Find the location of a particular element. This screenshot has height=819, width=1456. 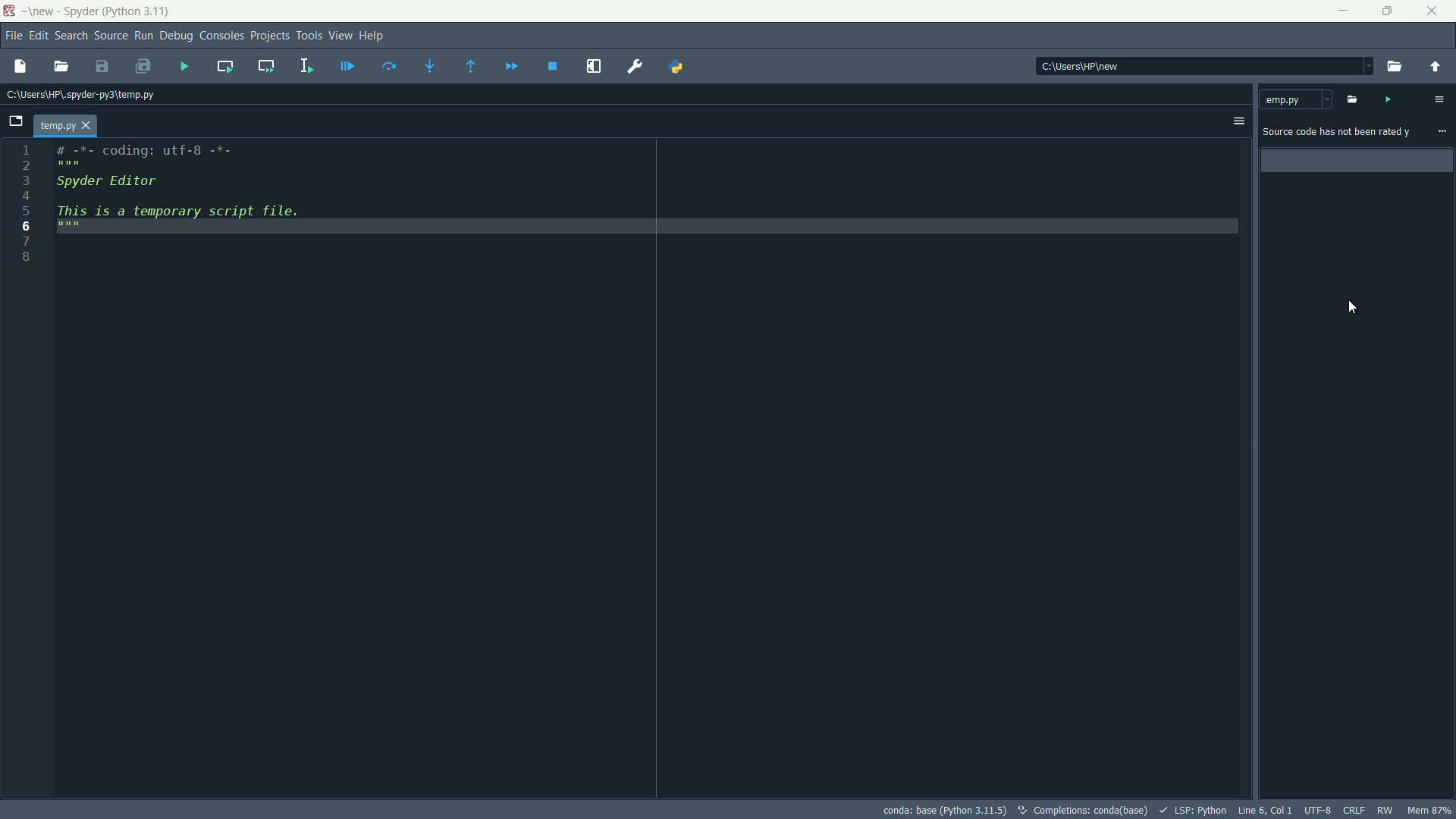

consoles menu is located at coordinates (220, 37).